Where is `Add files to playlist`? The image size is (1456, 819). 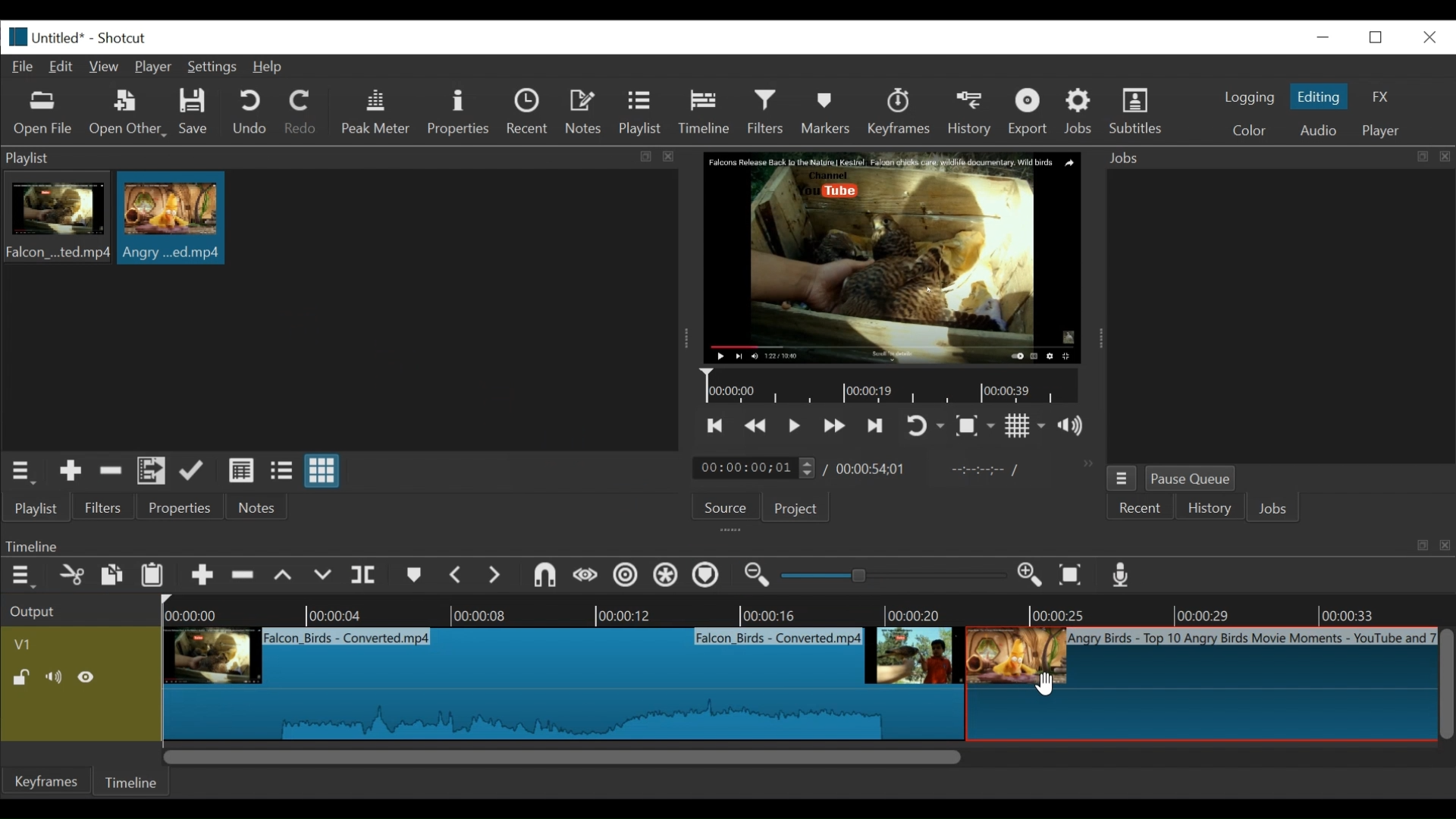 Add files to playlist is located at coordinates (152, 473).